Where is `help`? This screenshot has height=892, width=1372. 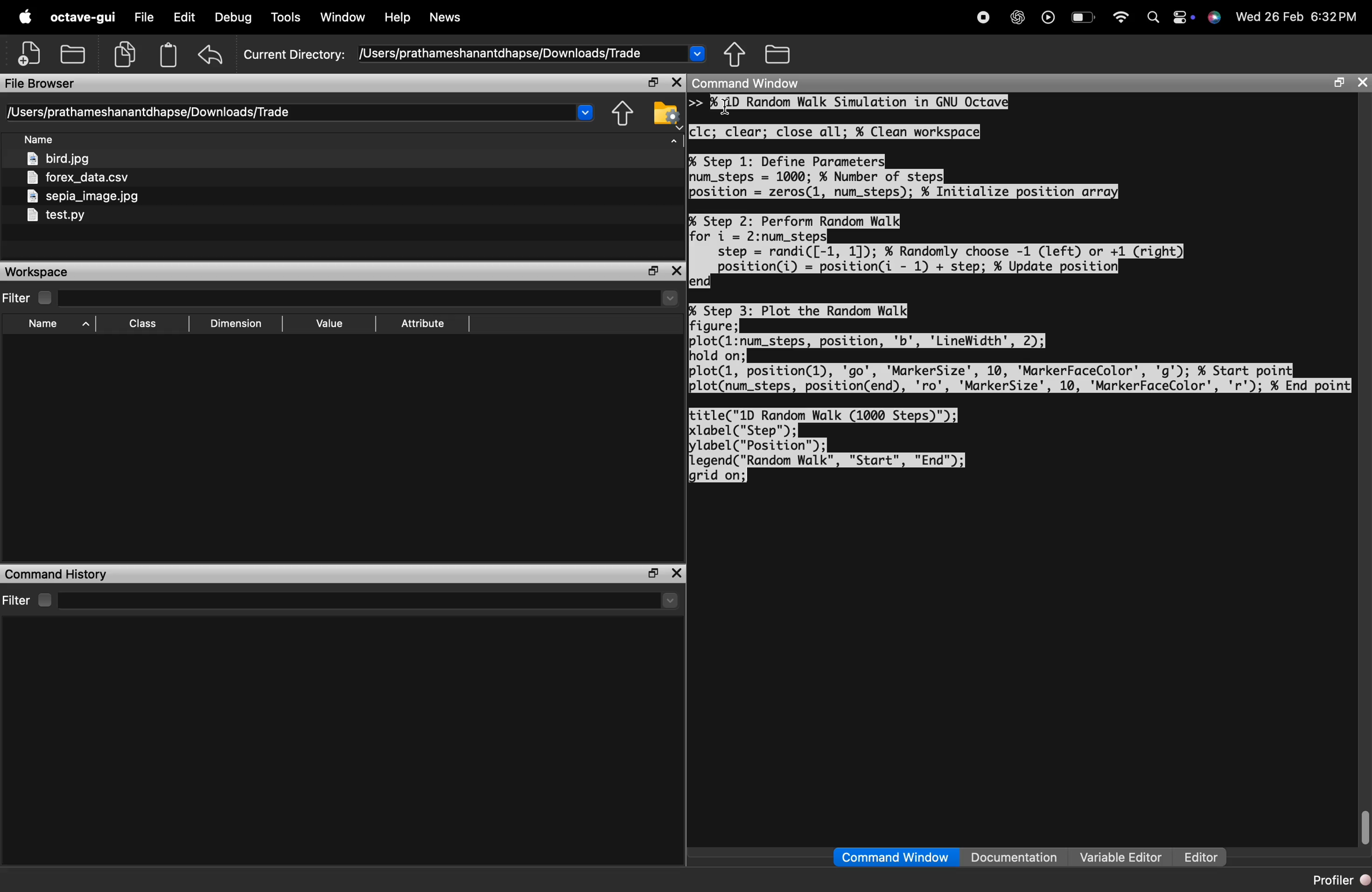
help is located at coordinates (397, 18).